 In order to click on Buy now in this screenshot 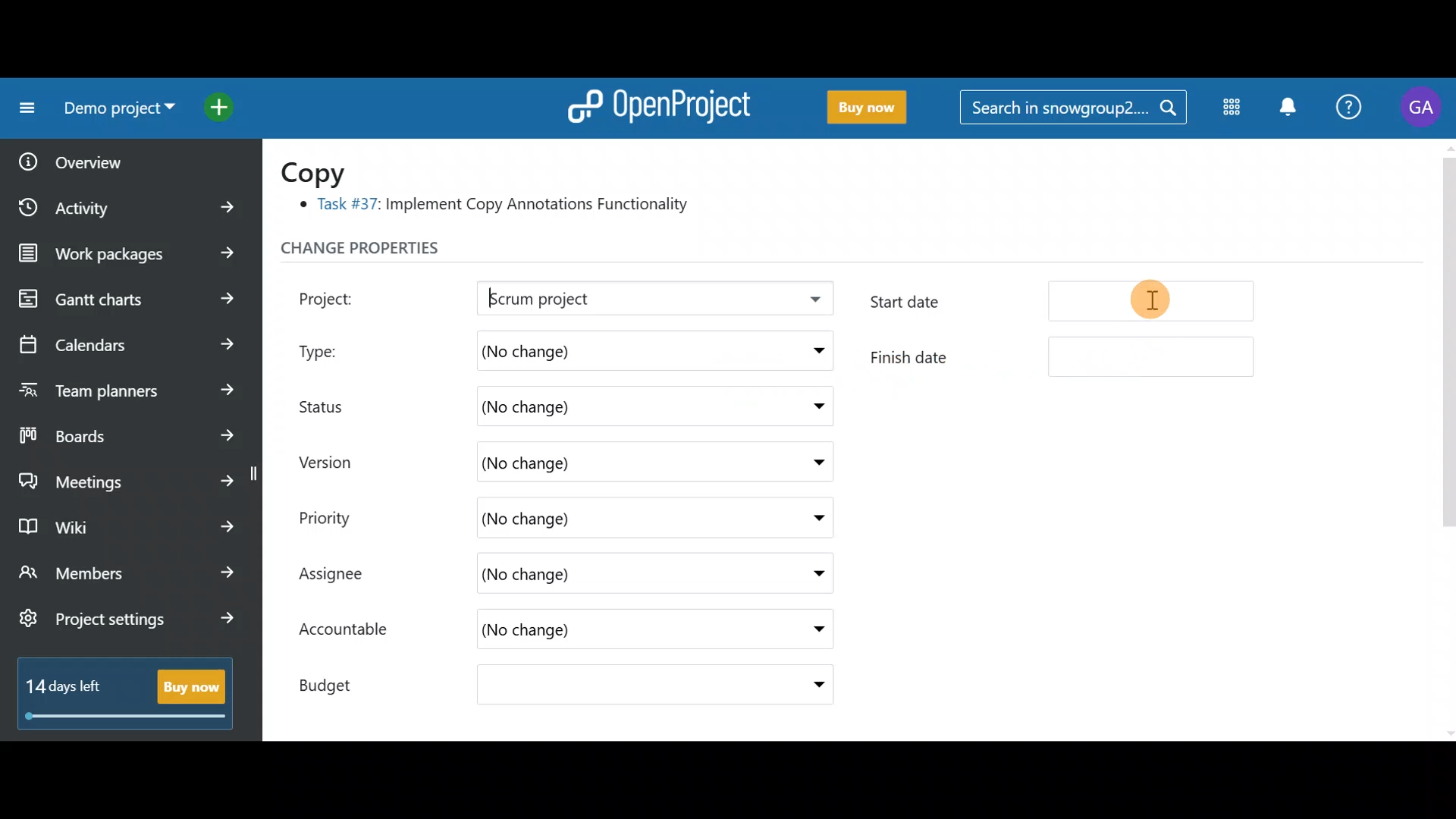, I will do `click(860, 108)`.